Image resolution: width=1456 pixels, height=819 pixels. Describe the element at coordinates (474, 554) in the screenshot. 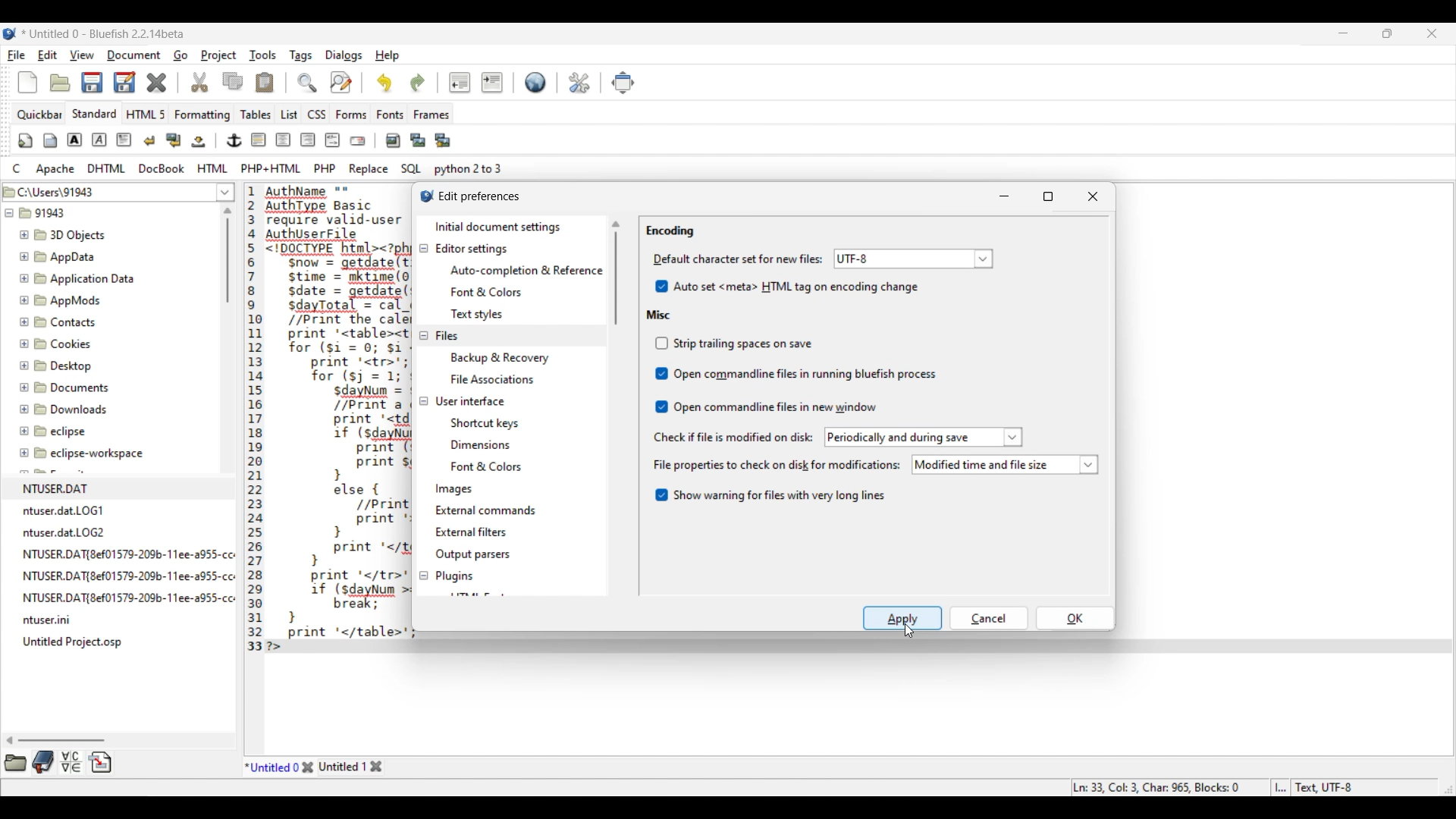

I see `Output parsers` at that location.